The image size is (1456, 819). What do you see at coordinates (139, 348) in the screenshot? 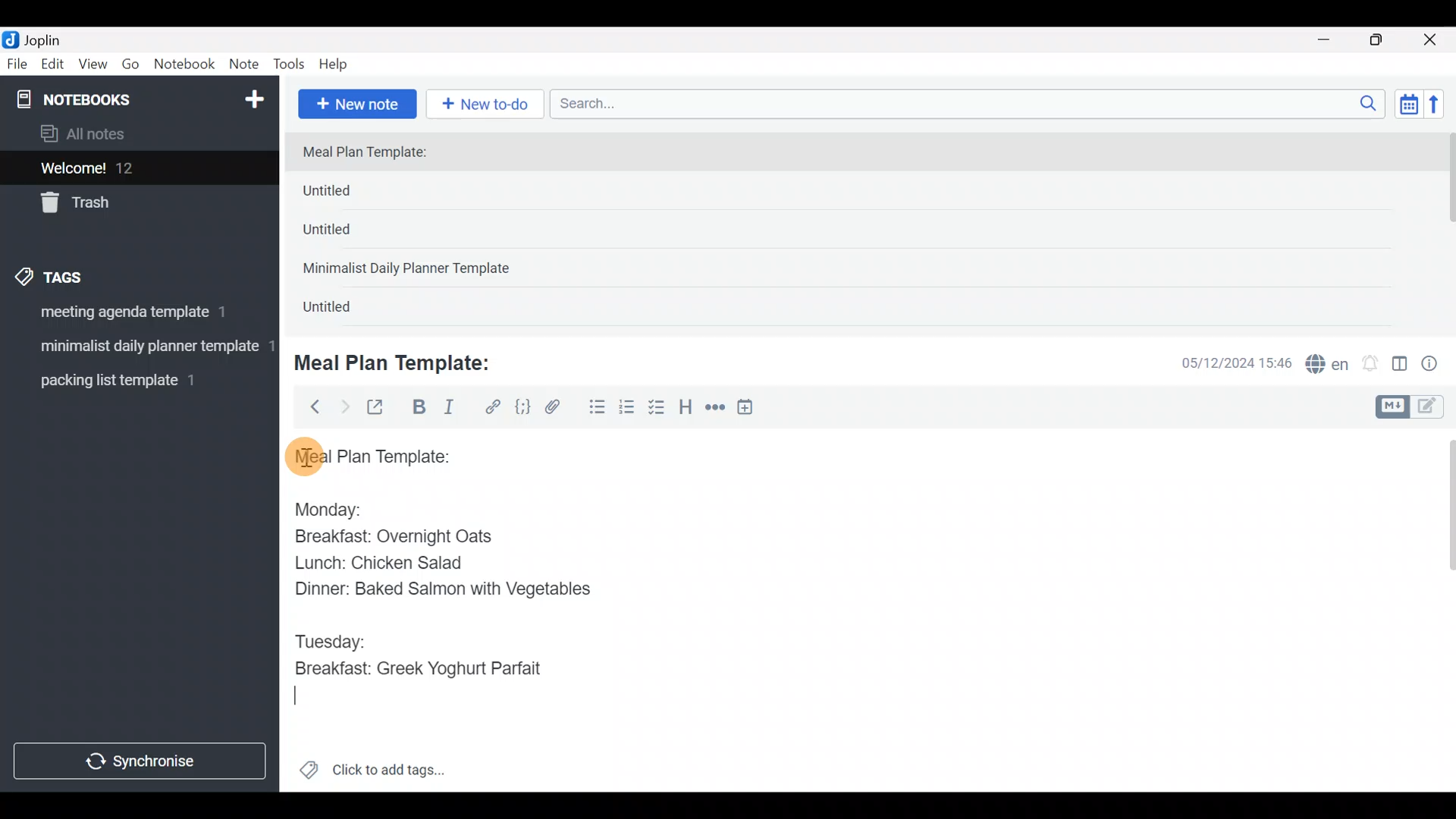
I see `Tag 2` at bounding box center [139, 348].